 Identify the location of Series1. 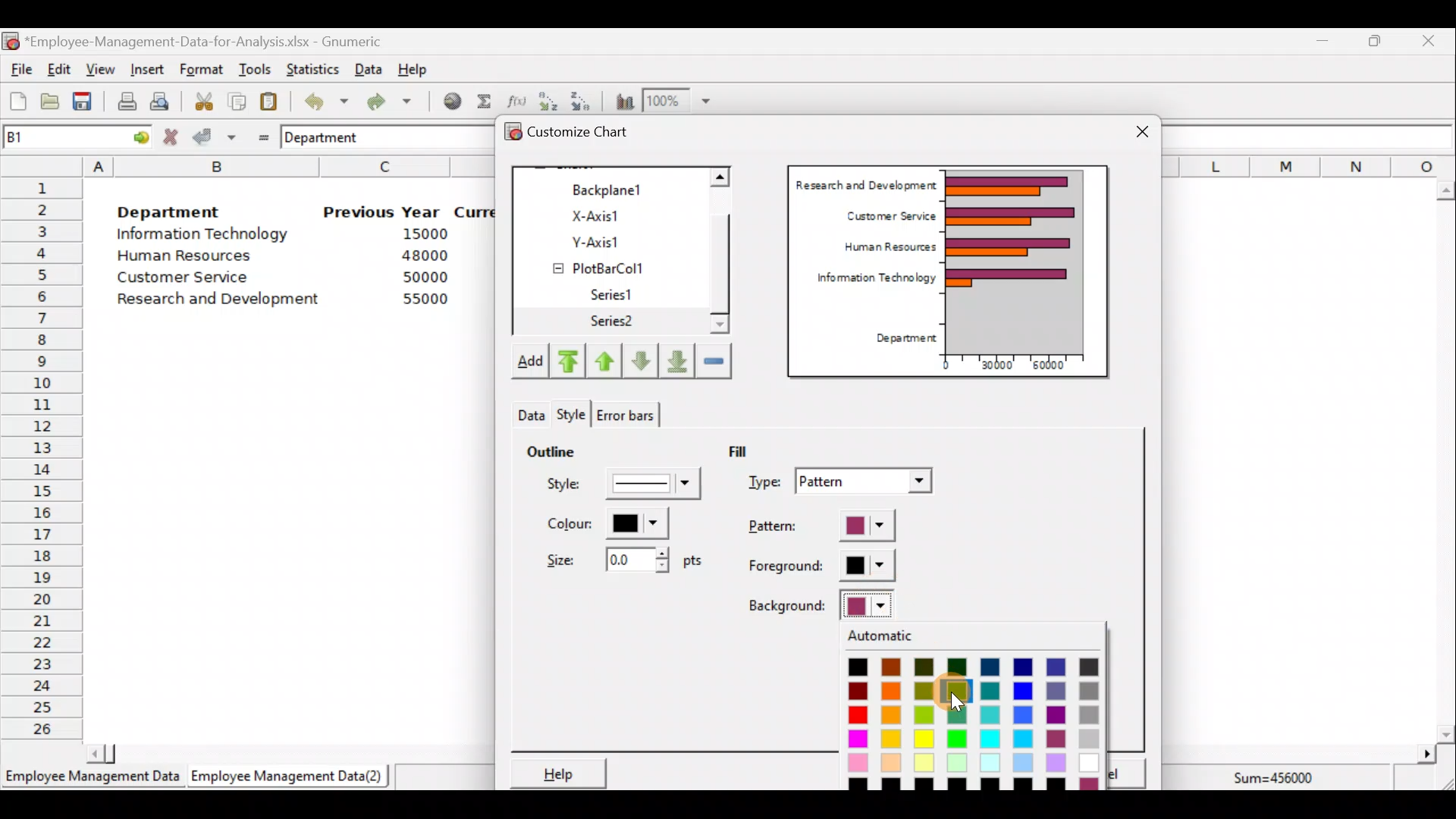
(620, 295).